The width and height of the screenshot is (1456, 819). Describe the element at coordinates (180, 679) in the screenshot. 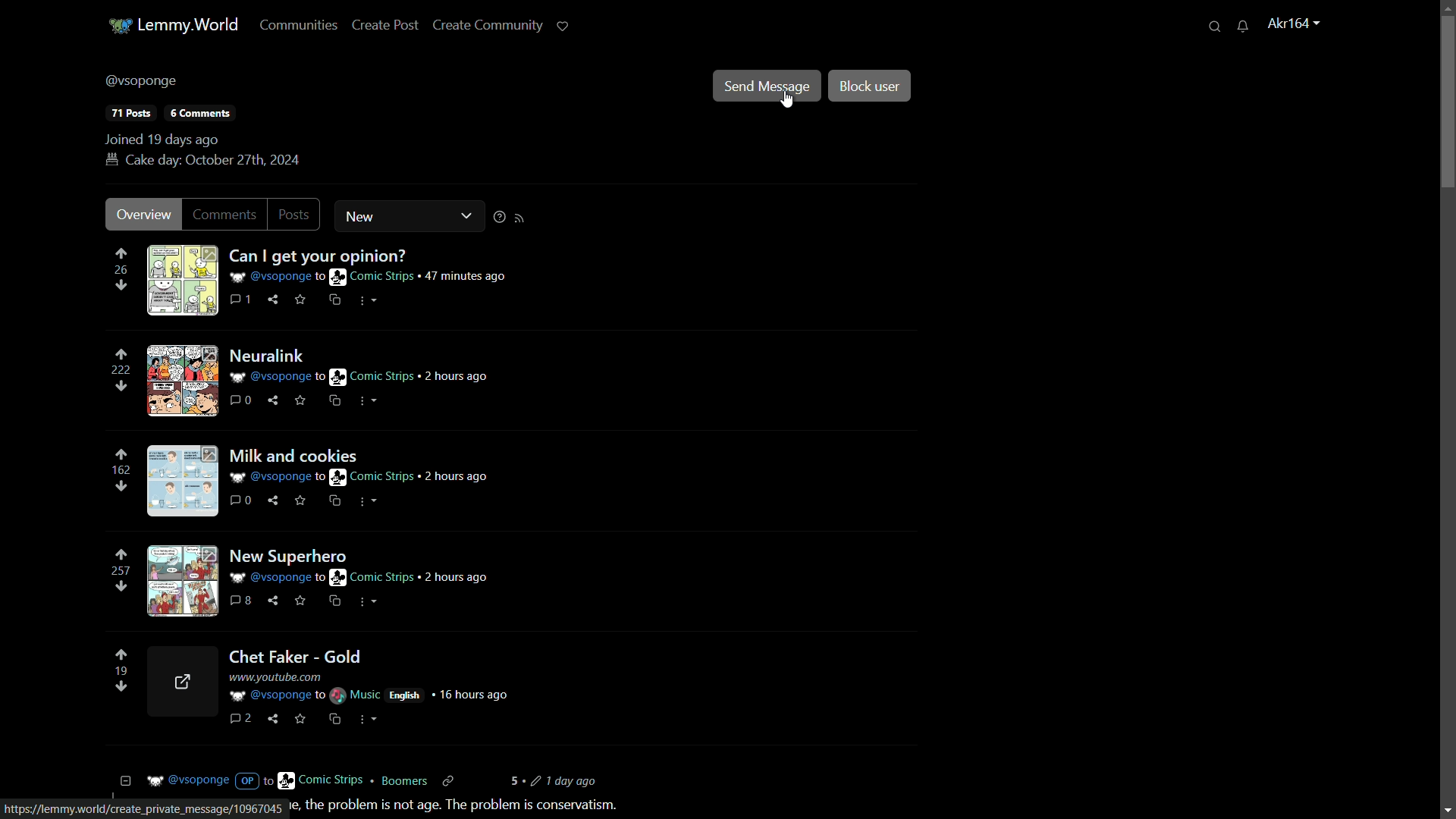

I see `image` at that location.